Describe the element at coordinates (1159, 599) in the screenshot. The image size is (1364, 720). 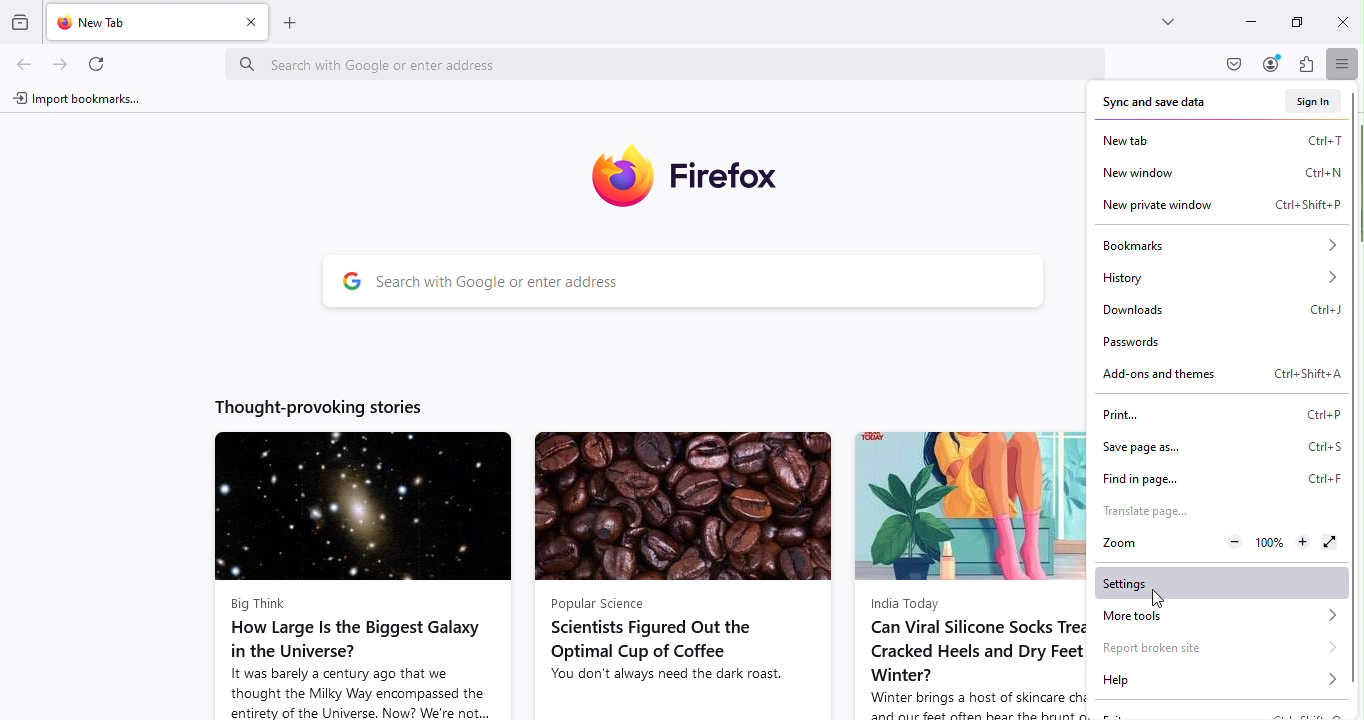
I see `cursor` at that location.